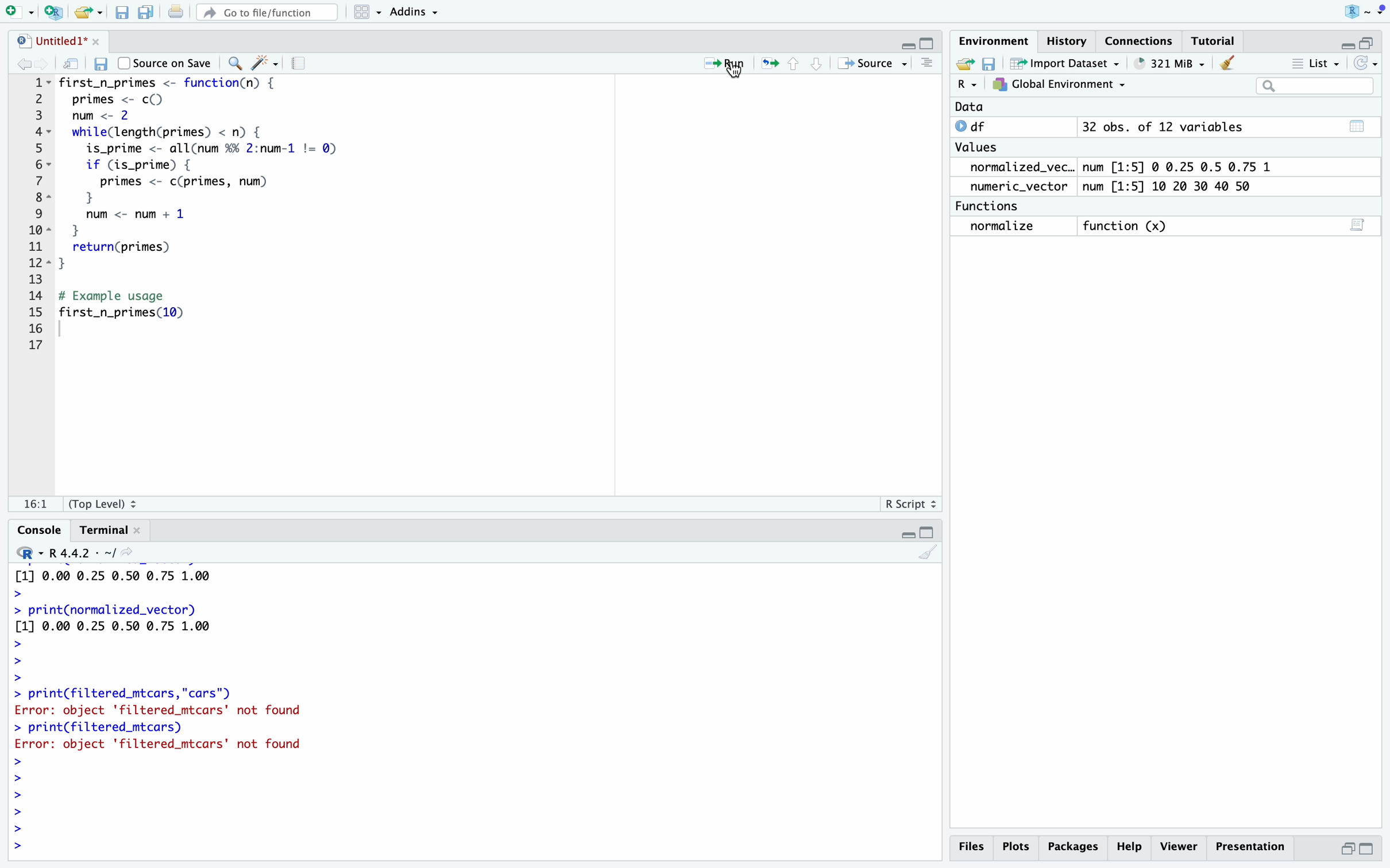  Describe the element at coordinates (1369, 63) in the screenshot. I see `Refresh` at that location.